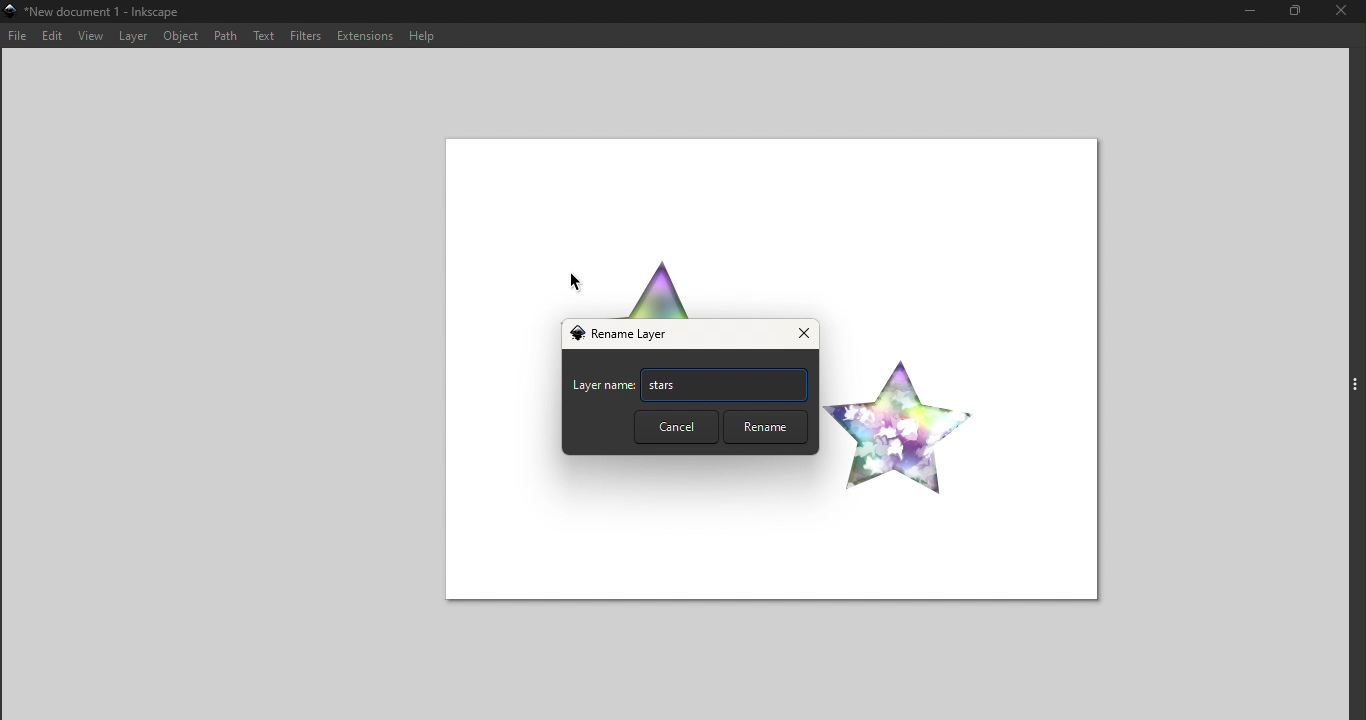 This screenshot has height=720, width=1366. I want to click on path, so click(225, 34).